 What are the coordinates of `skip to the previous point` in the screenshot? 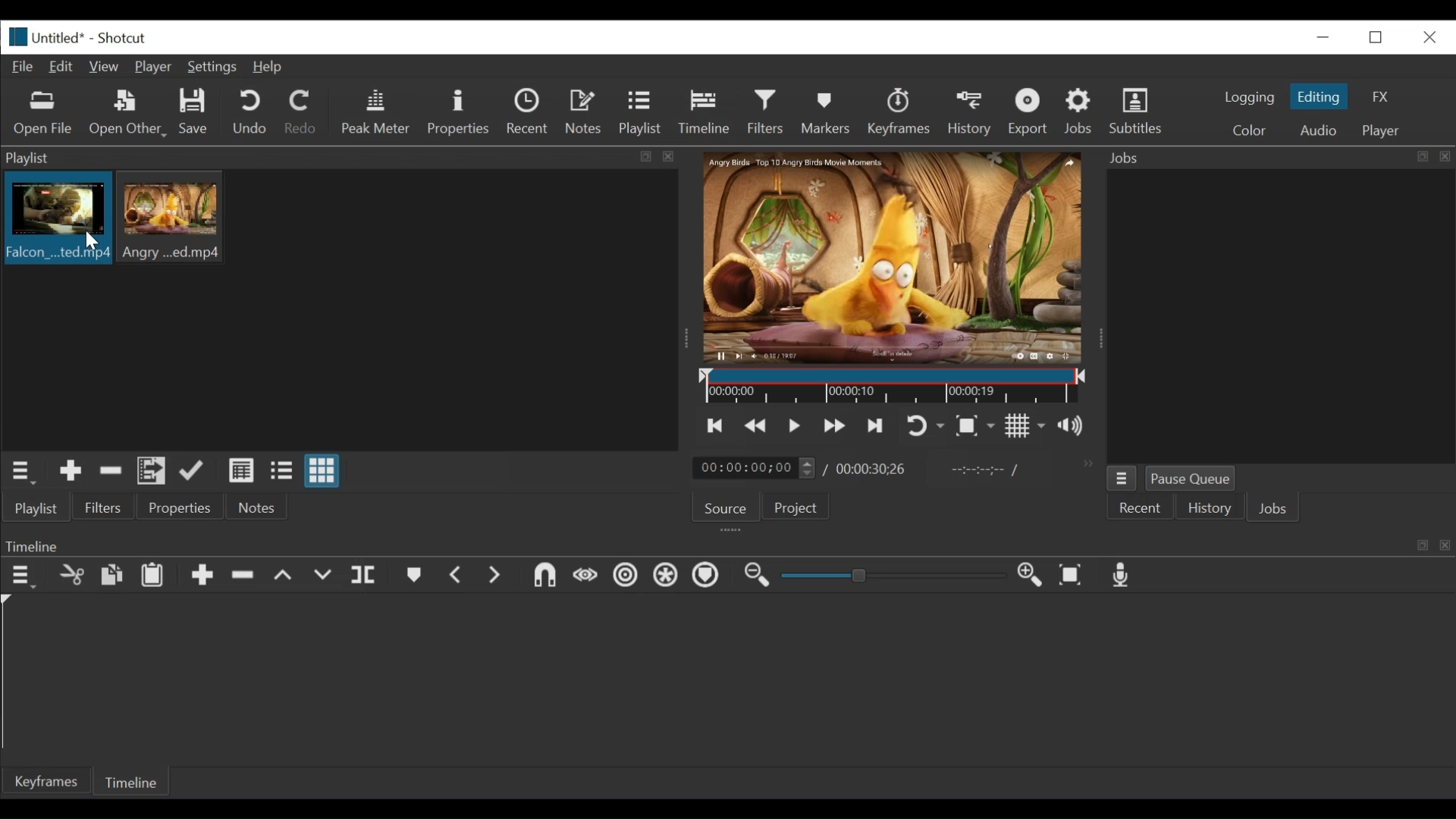 It's located at (715, 426).